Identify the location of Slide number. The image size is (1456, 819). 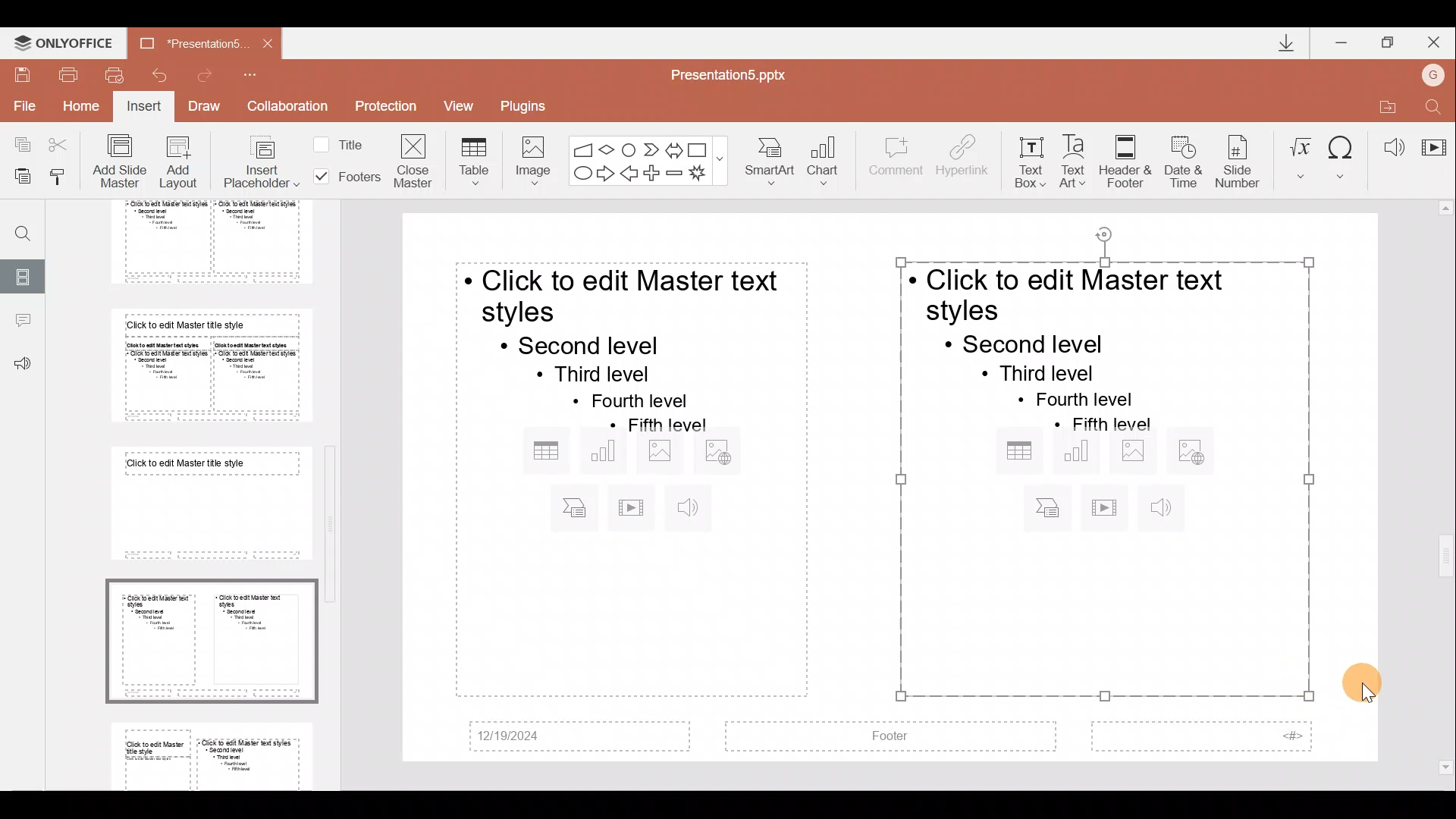
(1241, 158).